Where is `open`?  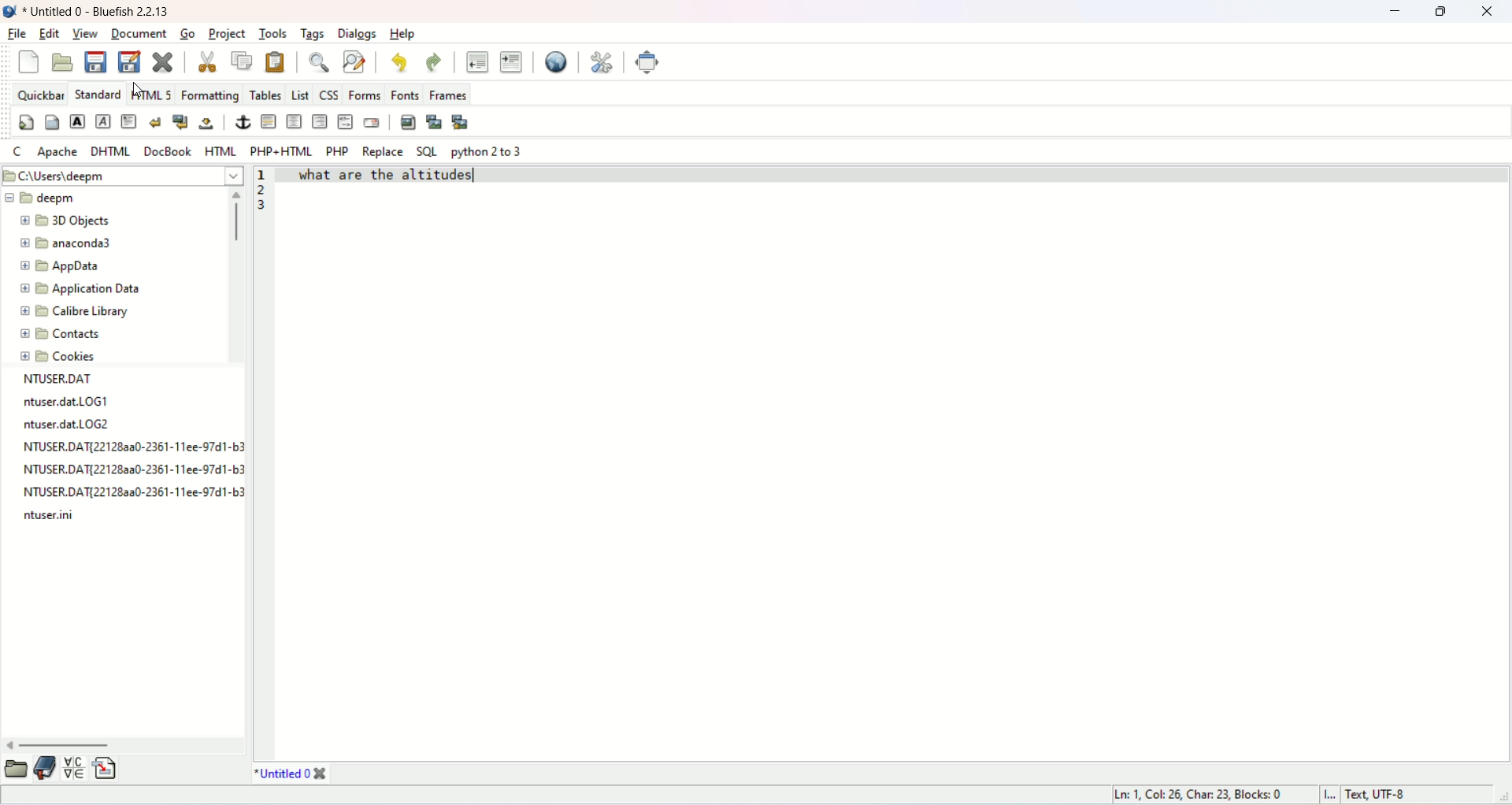
open is located at coordinates (63, 63).